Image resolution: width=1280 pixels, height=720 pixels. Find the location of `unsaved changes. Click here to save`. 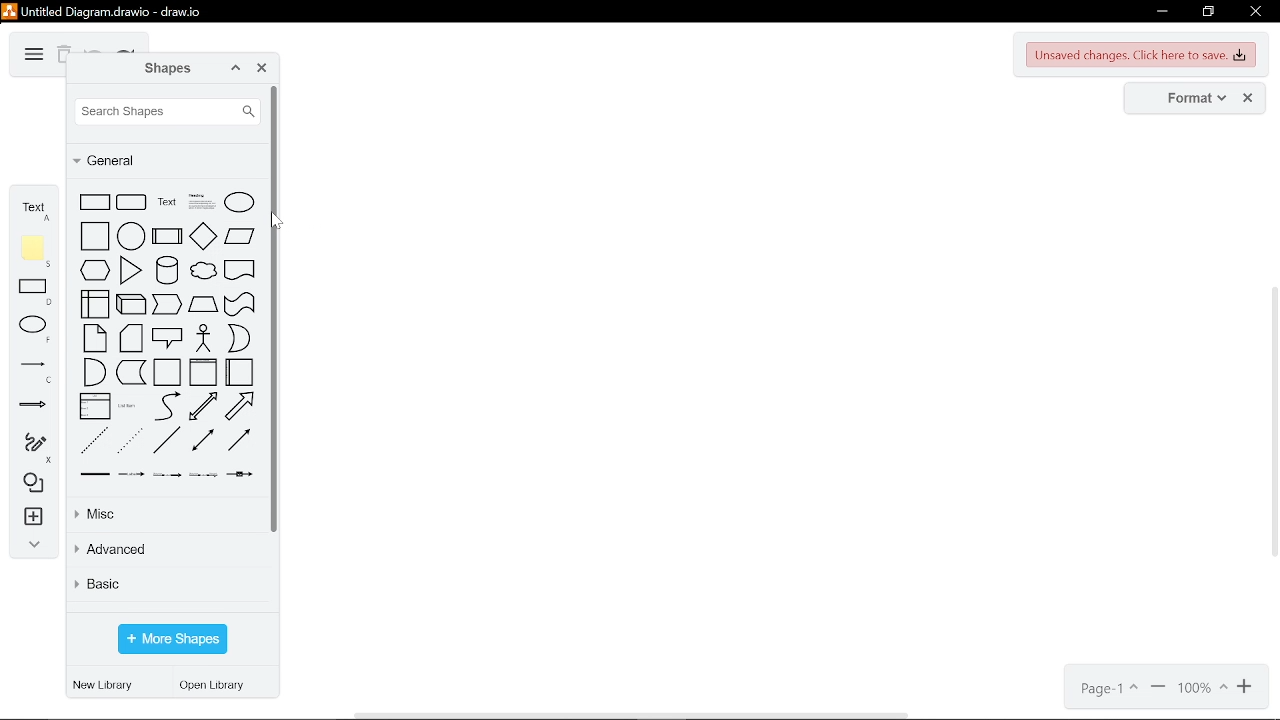

unsaved changes. Click here to save is located at coordinates (1142, 55).